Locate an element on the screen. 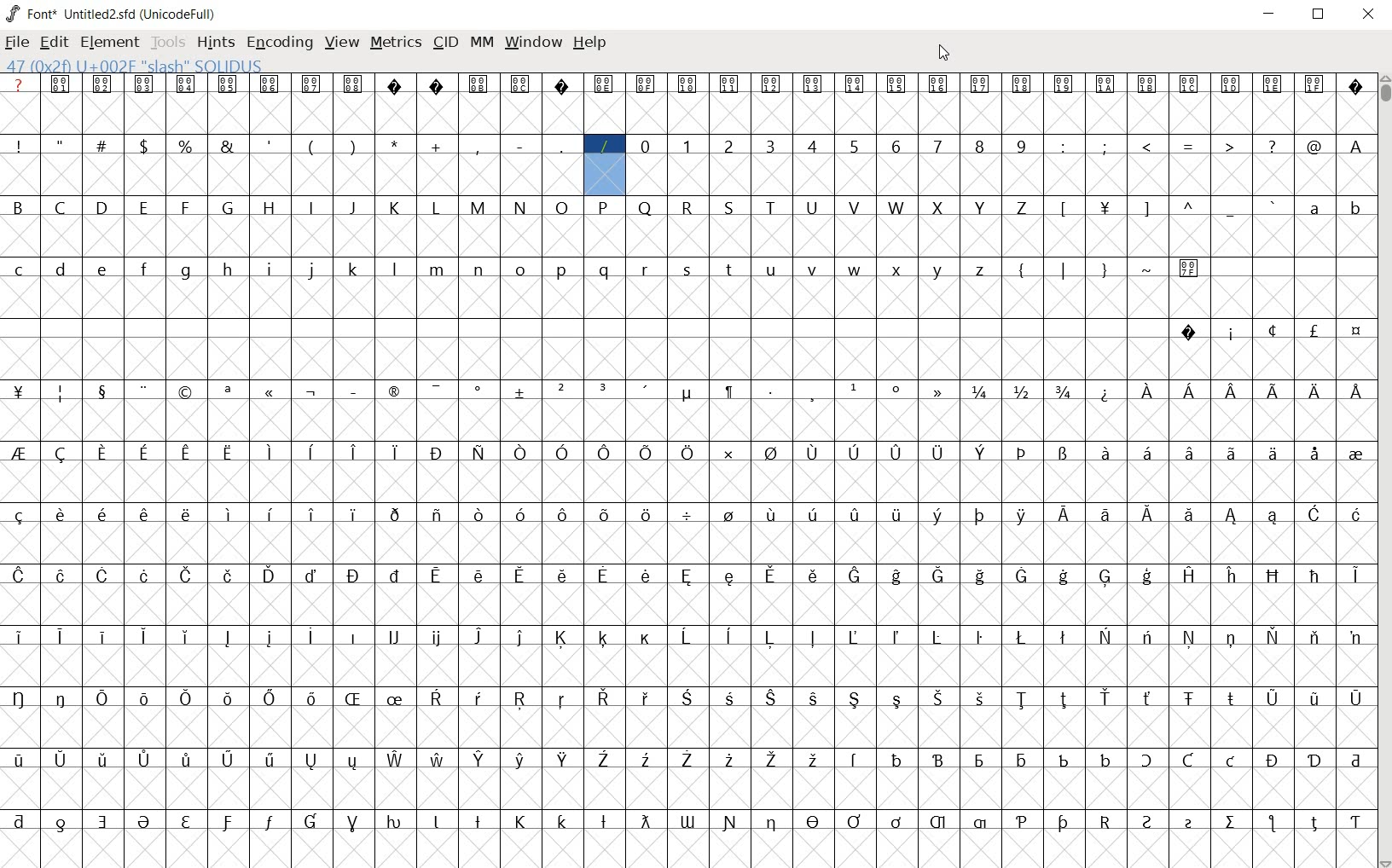 This screenshot has height=868, width=1392. glyph is located at coordinates (437, 516).